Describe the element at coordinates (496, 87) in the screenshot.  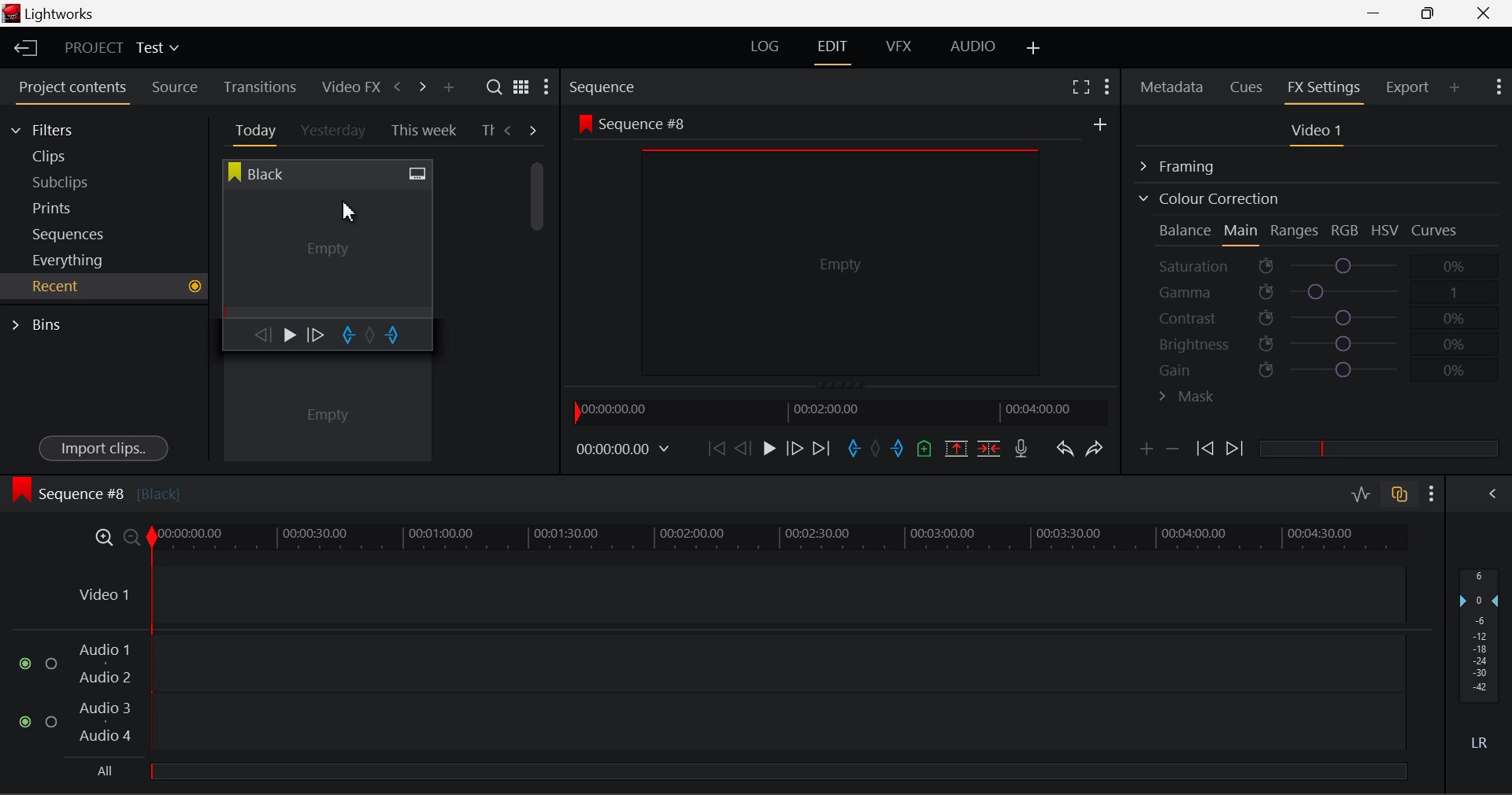
I see `Search` at that location.